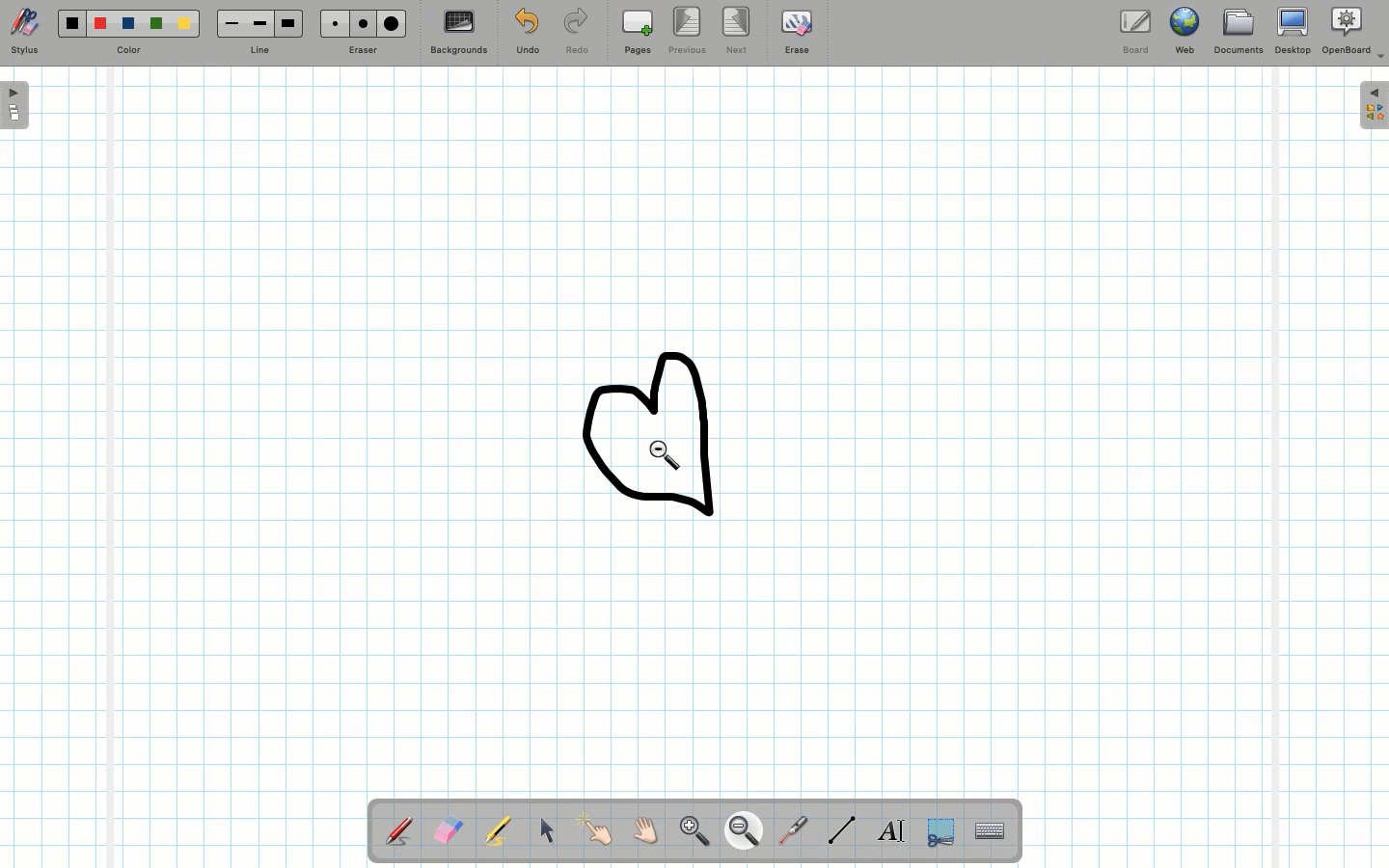 The height and width of the screenshot is (868, 1389). I want to click on Erase, so click(797, 36).